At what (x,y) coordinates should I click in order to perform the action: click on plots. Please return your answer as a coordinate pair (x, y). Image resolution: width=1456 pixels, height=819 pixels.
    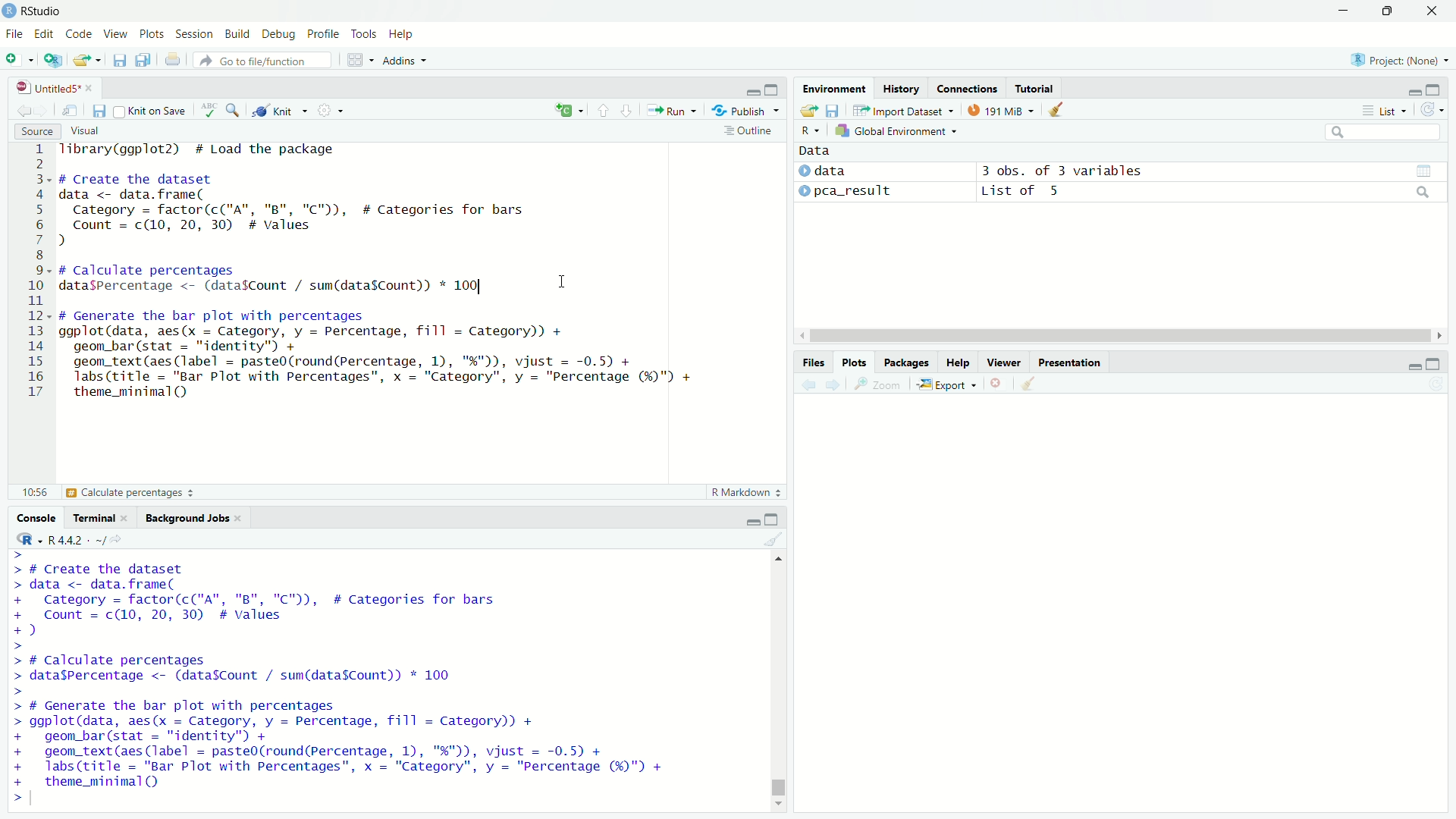
    Looking at the image, I should click on (153, 35).